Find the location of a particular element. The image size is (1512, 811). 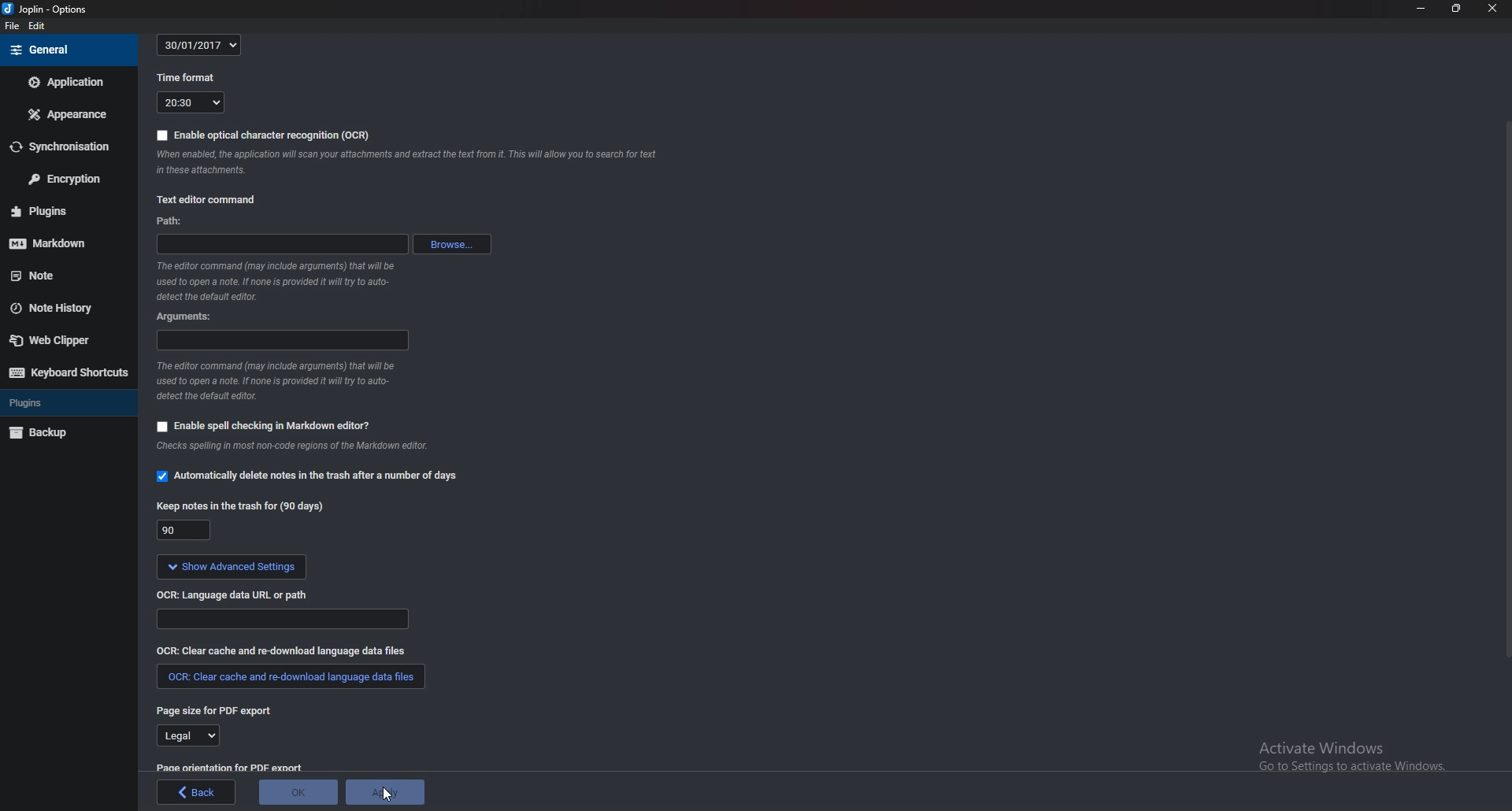

Time format is located at coordinates (189, 78).